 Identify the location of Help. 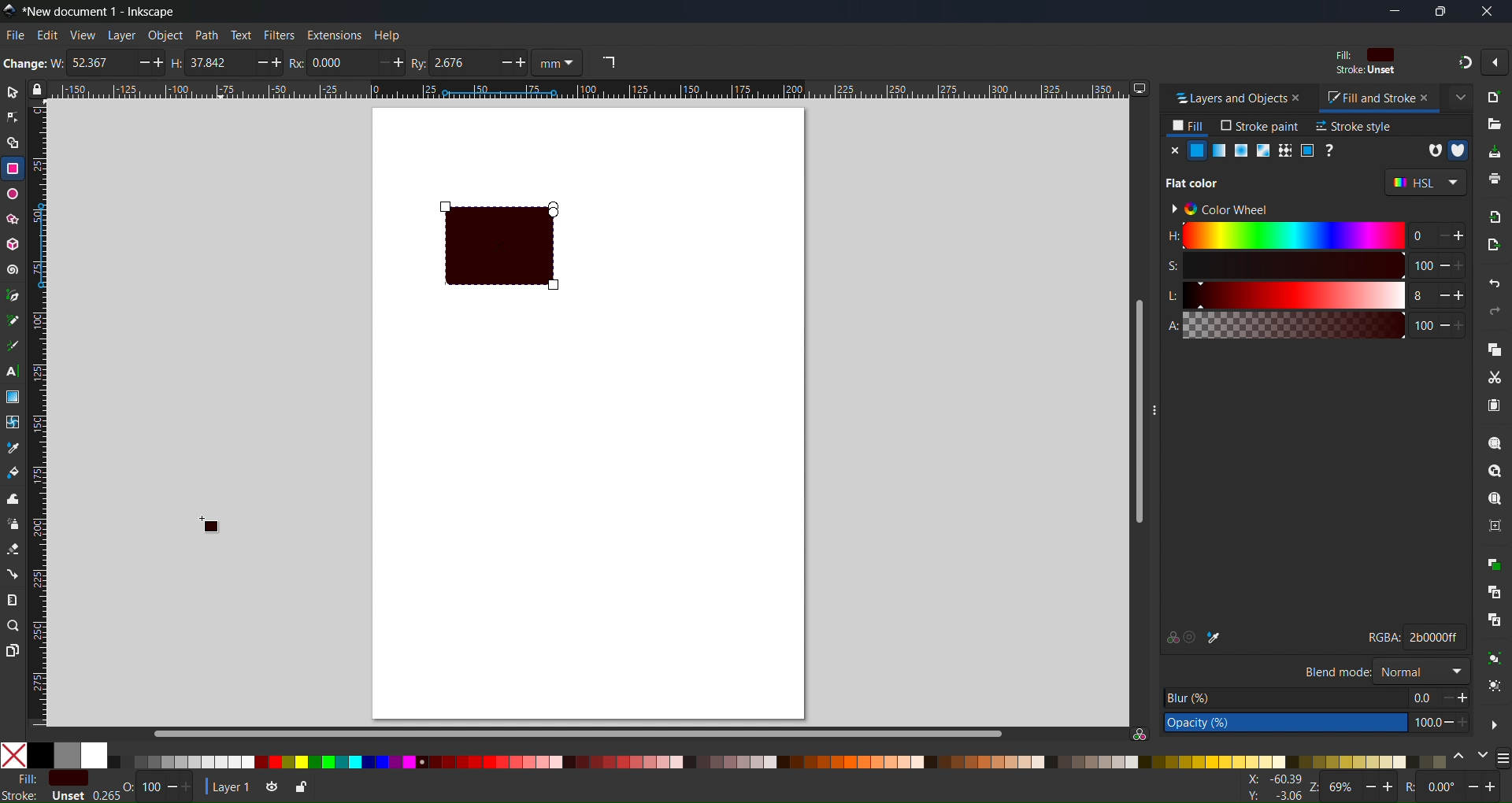
(386, 35).